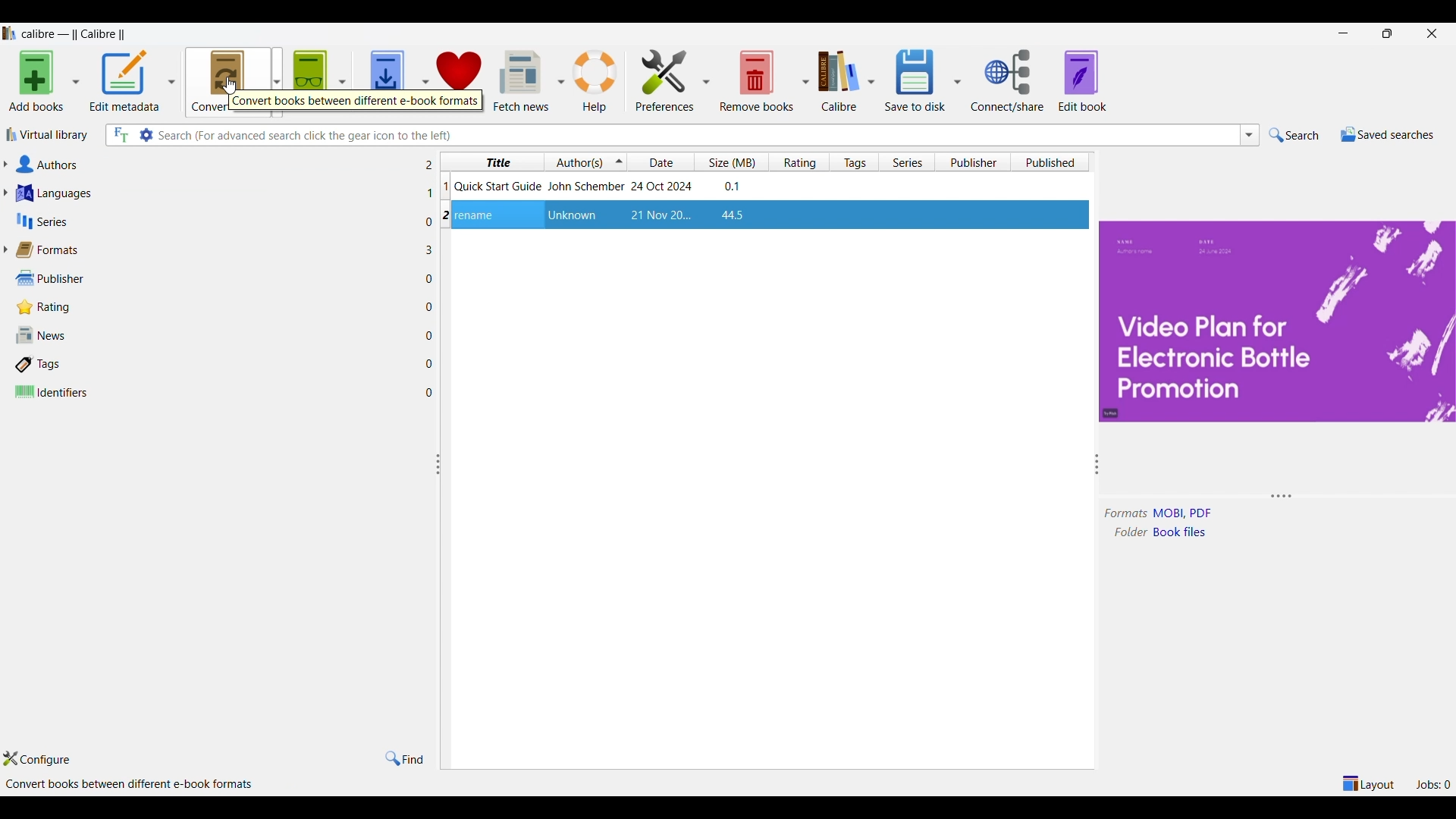 Image resolution: width=1456 pixels, height=819 pixels. Describe the element at coordinates (37, 759) in the screenshot. I see `Configure` at that location.